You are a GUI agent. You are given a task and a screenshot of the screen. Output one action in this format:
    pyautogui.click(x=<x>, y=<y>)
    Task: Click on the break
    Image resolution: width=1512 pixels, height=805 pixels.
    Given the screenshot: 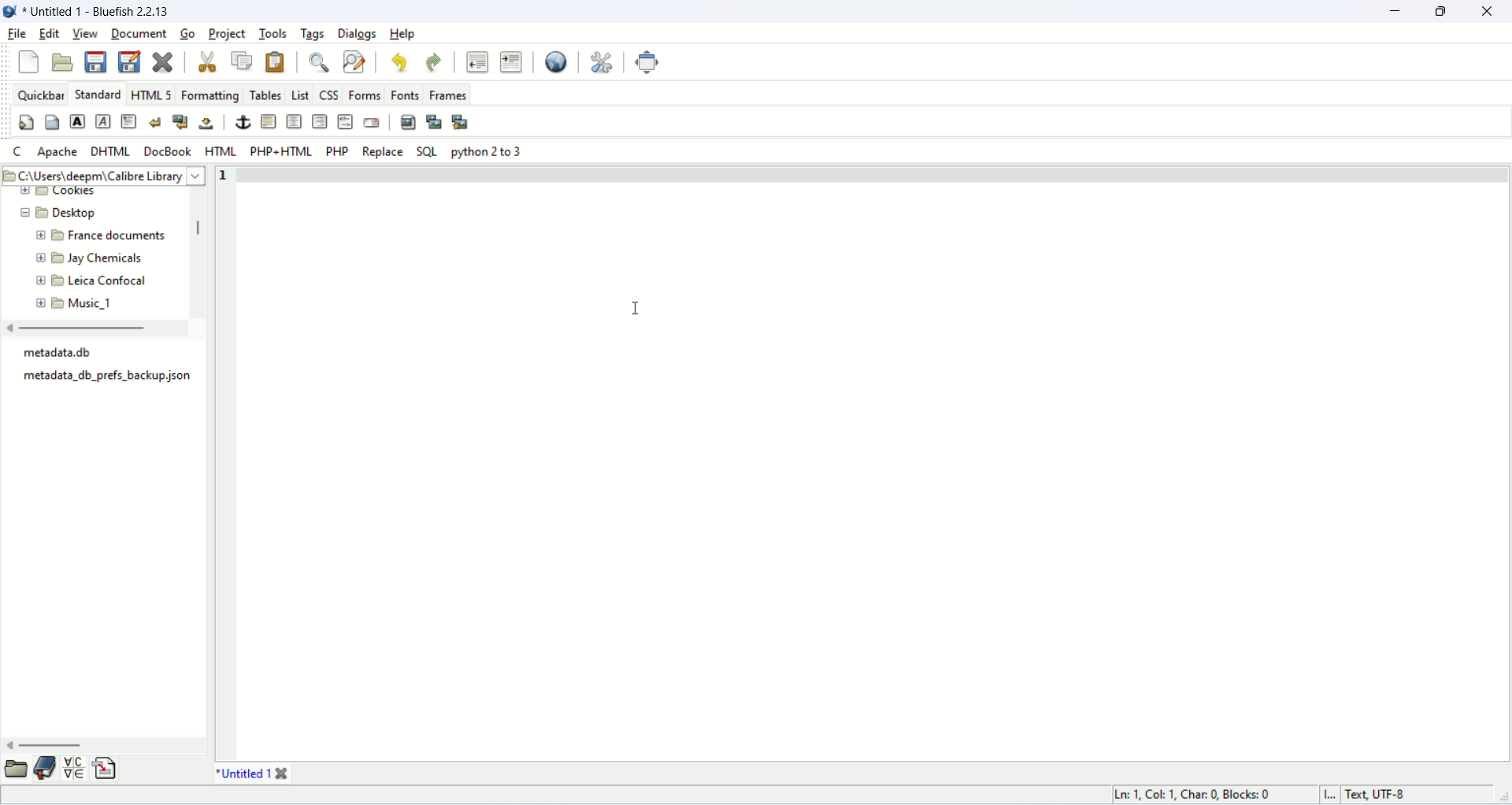 What is the action you would take?
    pyautogui.click(x=154, y=122)
    